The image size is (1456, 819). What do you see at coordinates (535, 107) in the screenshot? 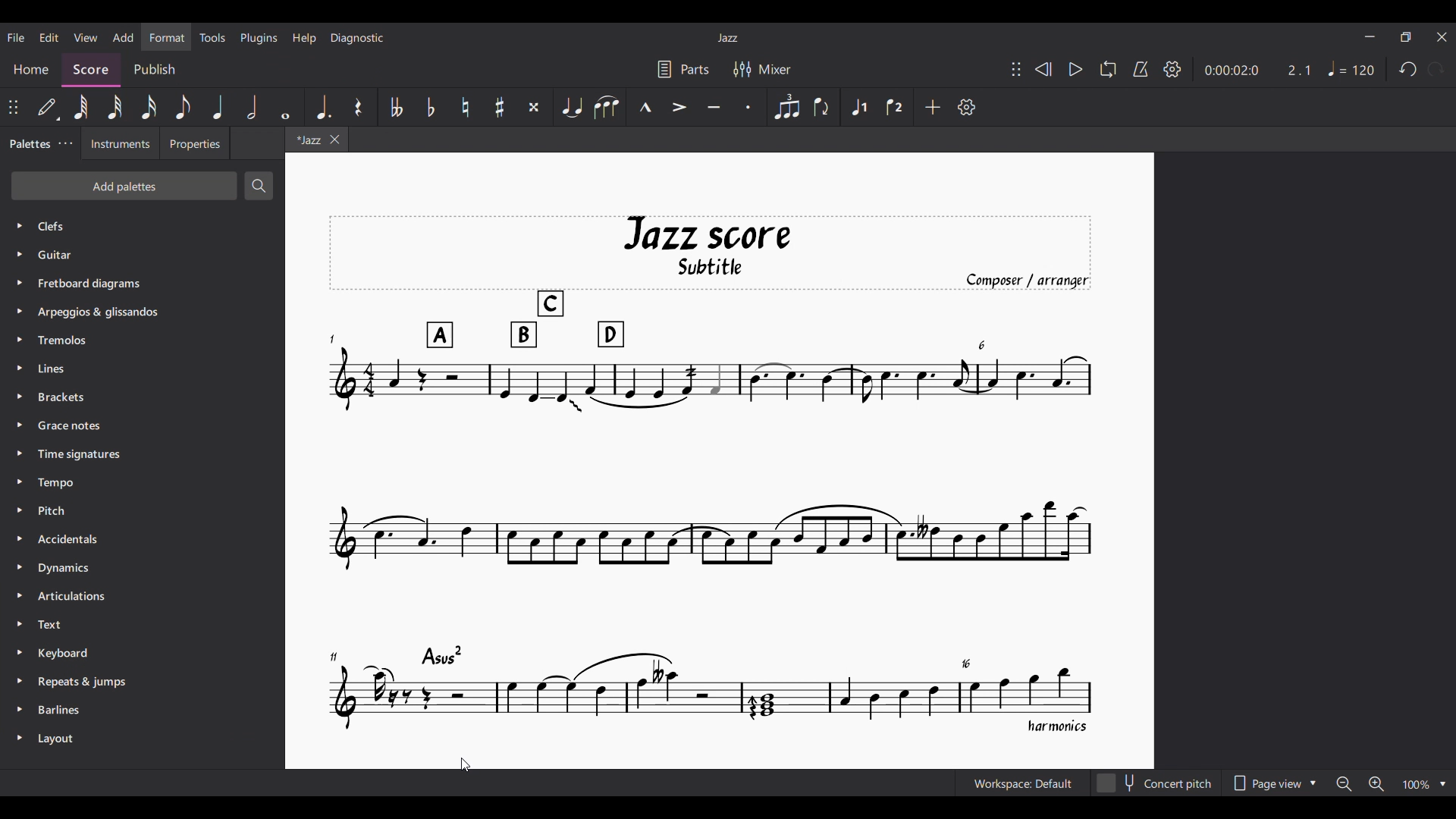
I see `Toggle double sharp` at bounding box center [535, 107].